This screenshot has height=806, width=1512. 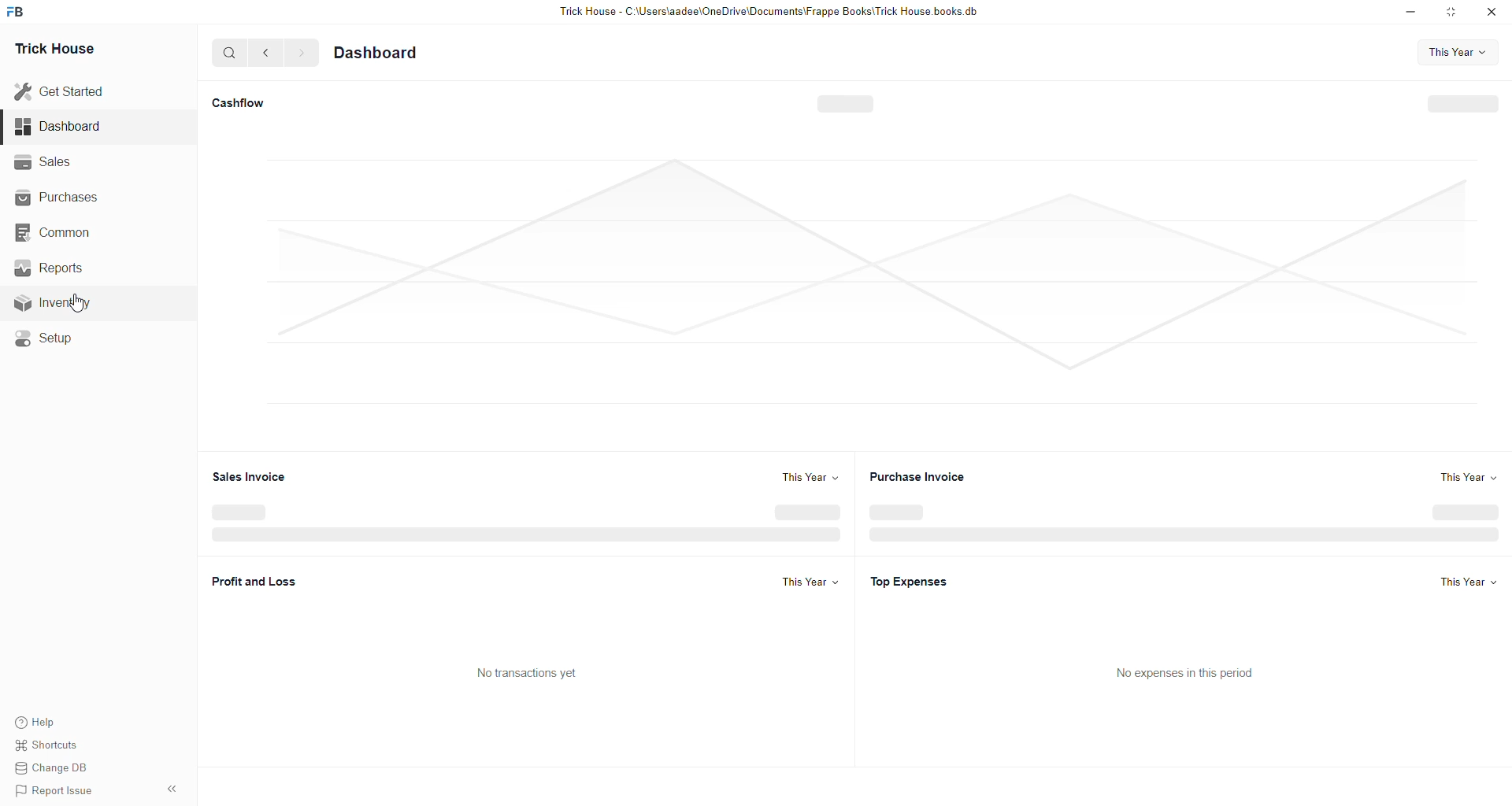 I want to click on Close, so click(x=1495, y=15).